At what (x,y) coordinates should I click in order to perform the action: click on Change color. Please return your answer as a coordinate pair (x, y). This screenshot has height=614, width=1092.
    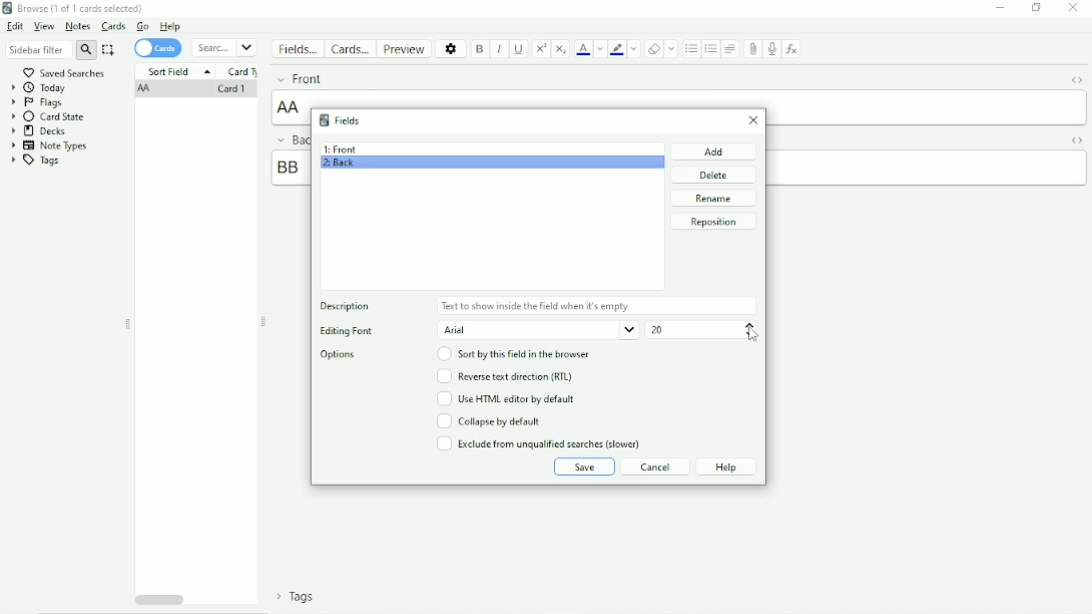
    Looking at the image, I should click on (634, 48).